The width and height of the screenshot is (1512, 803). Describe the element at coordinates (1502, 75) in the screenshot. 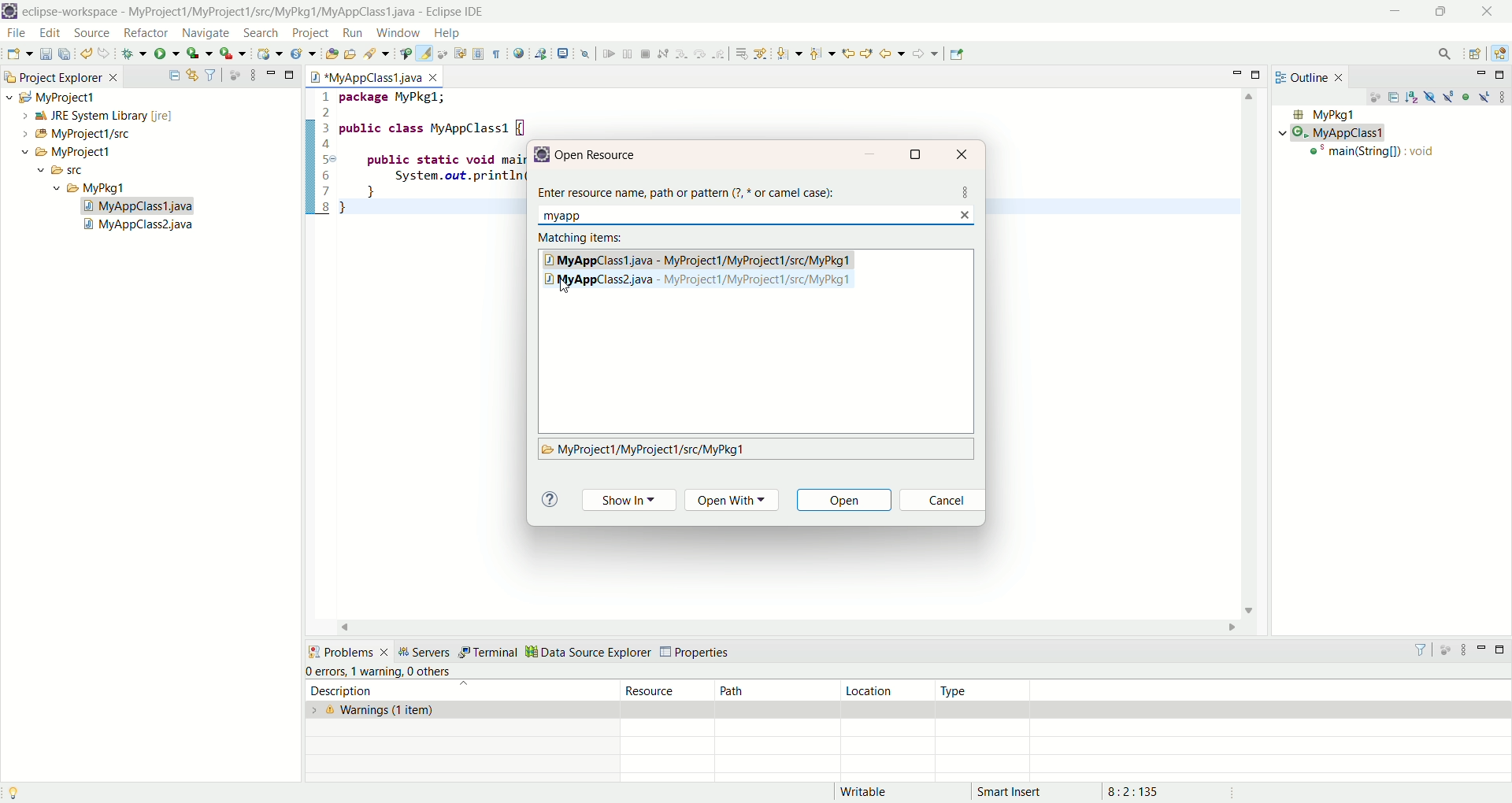

I see `maximize` at that location.